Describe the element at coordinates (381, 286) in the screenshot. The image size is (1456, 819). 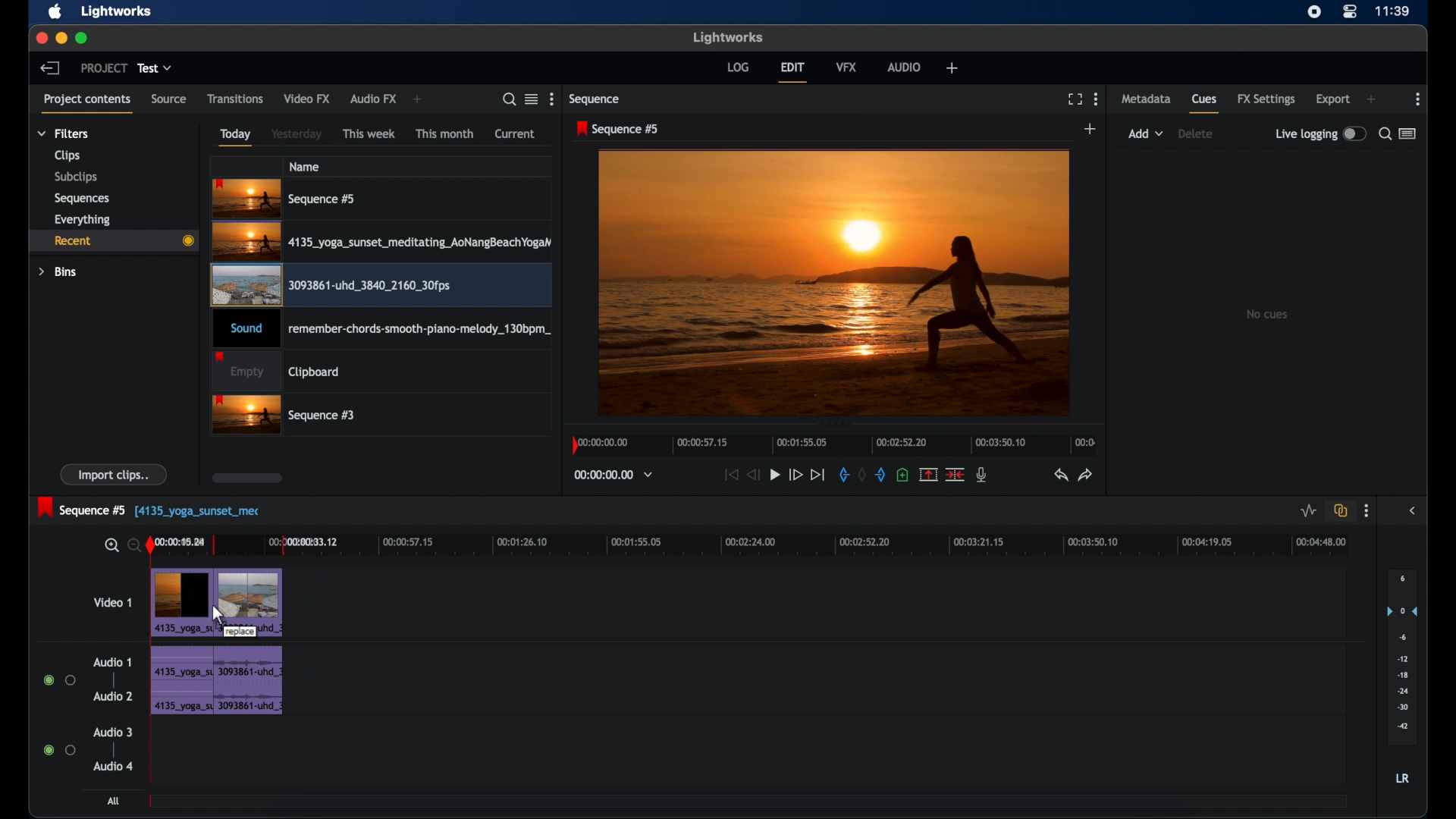
I see `video clip` at that location.